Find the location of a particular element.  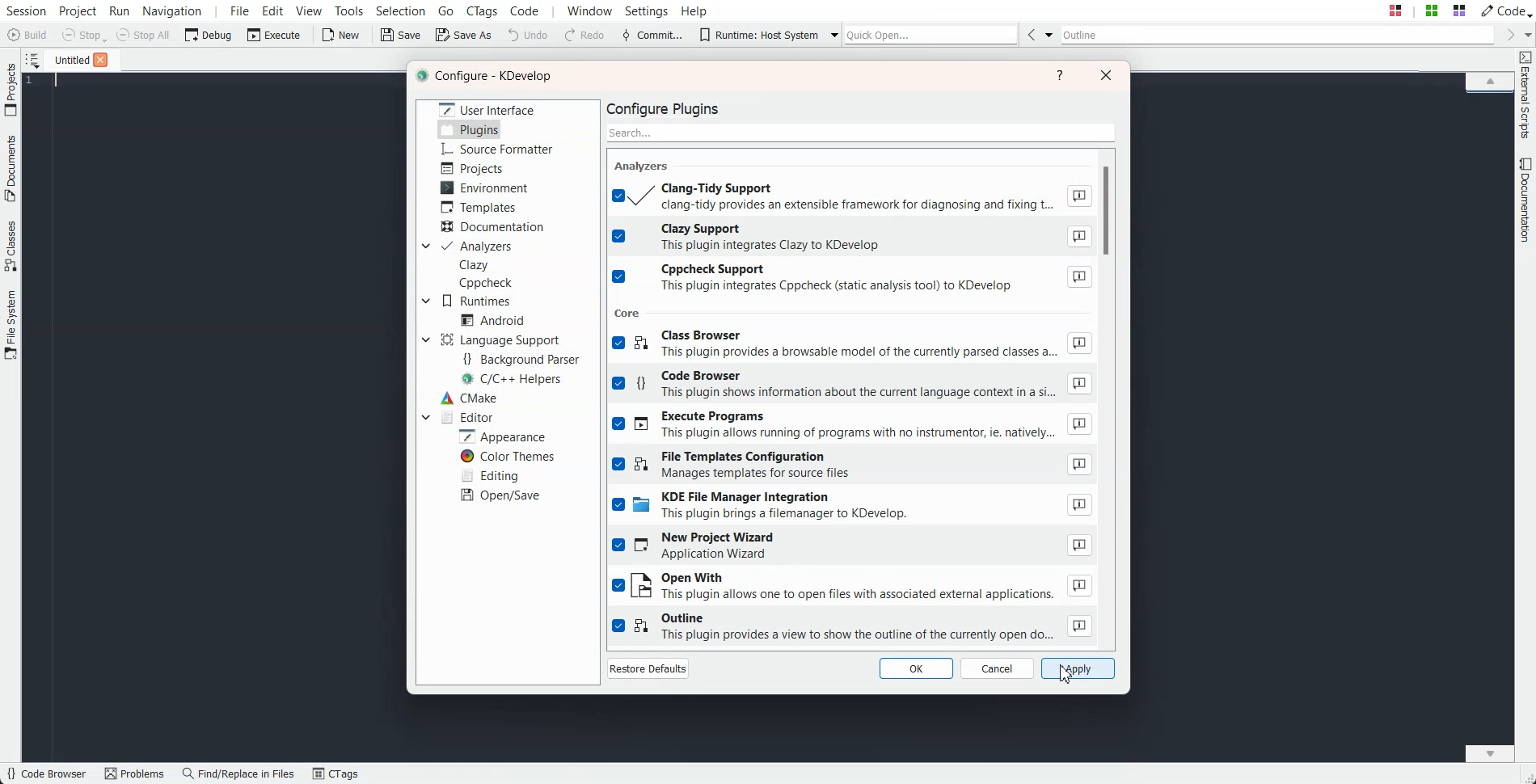

Drop down box is located at coordinates (425, 416).